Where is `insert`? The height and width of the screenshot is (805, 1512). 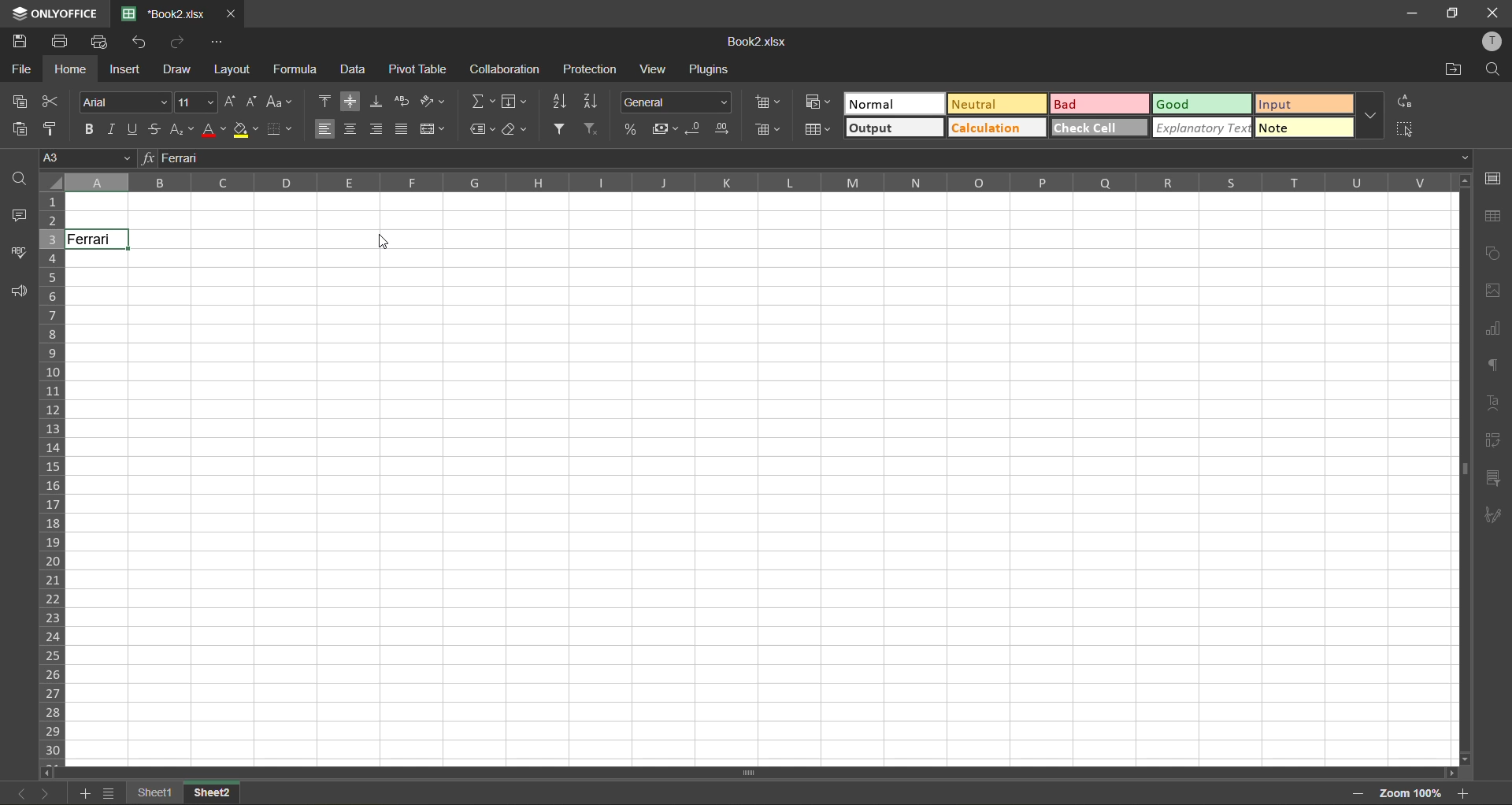 insert is located at coordinates (125, 70).